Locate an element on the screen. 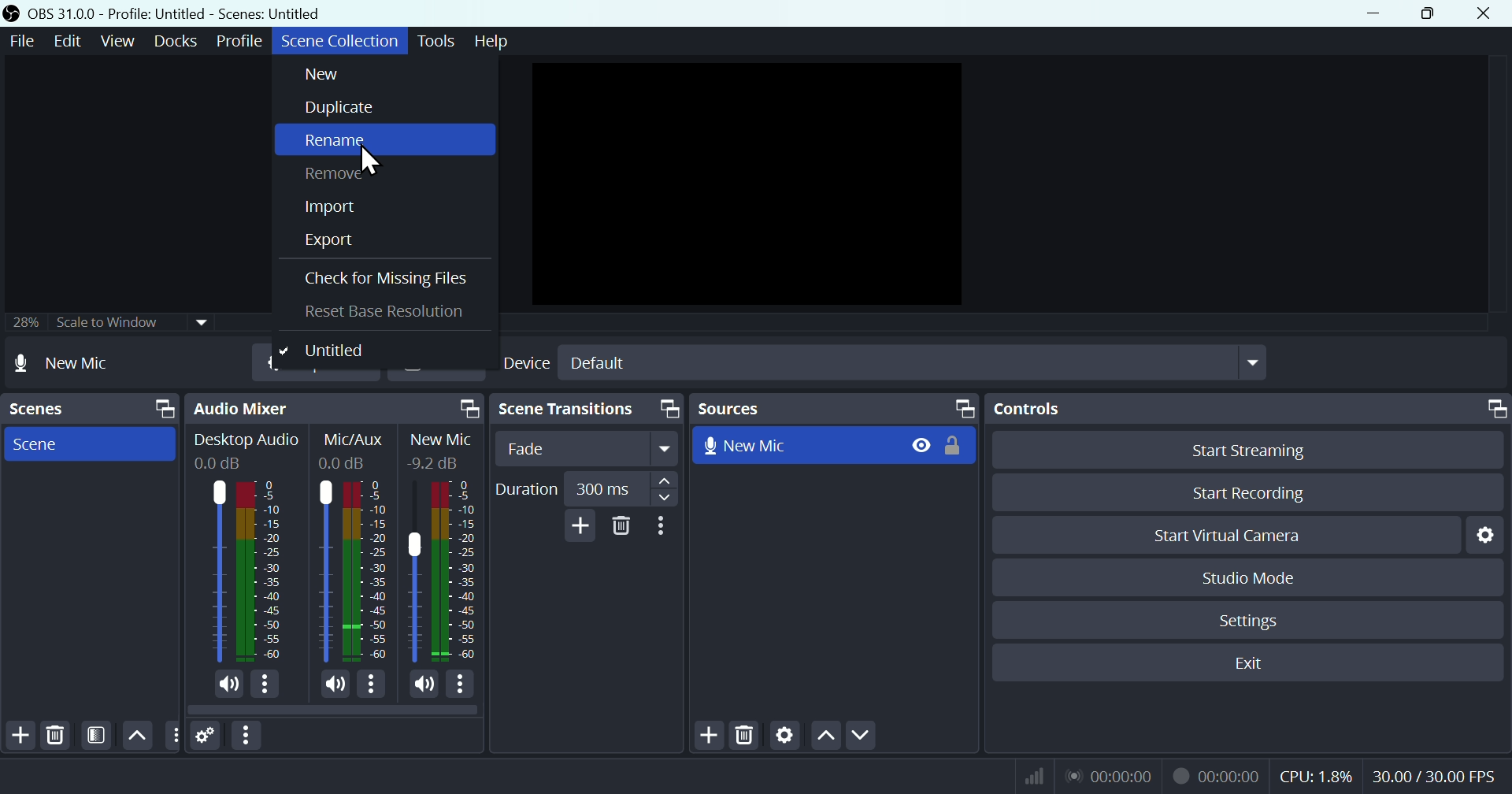  Controls is located at coordinates (1246, 409).